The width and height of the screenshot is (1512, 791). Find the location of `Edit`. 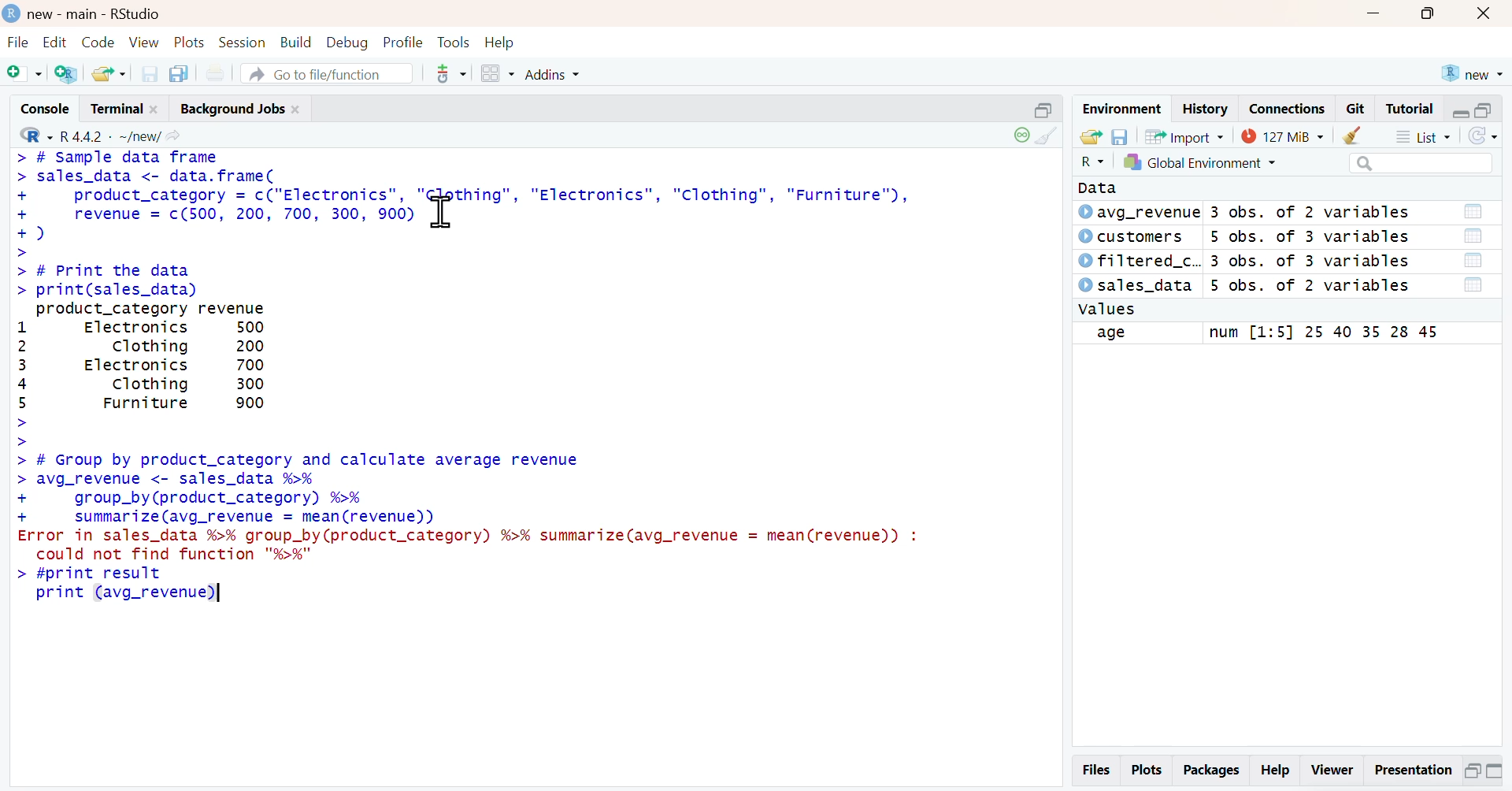

Edit is located at coordinates (54, 43).